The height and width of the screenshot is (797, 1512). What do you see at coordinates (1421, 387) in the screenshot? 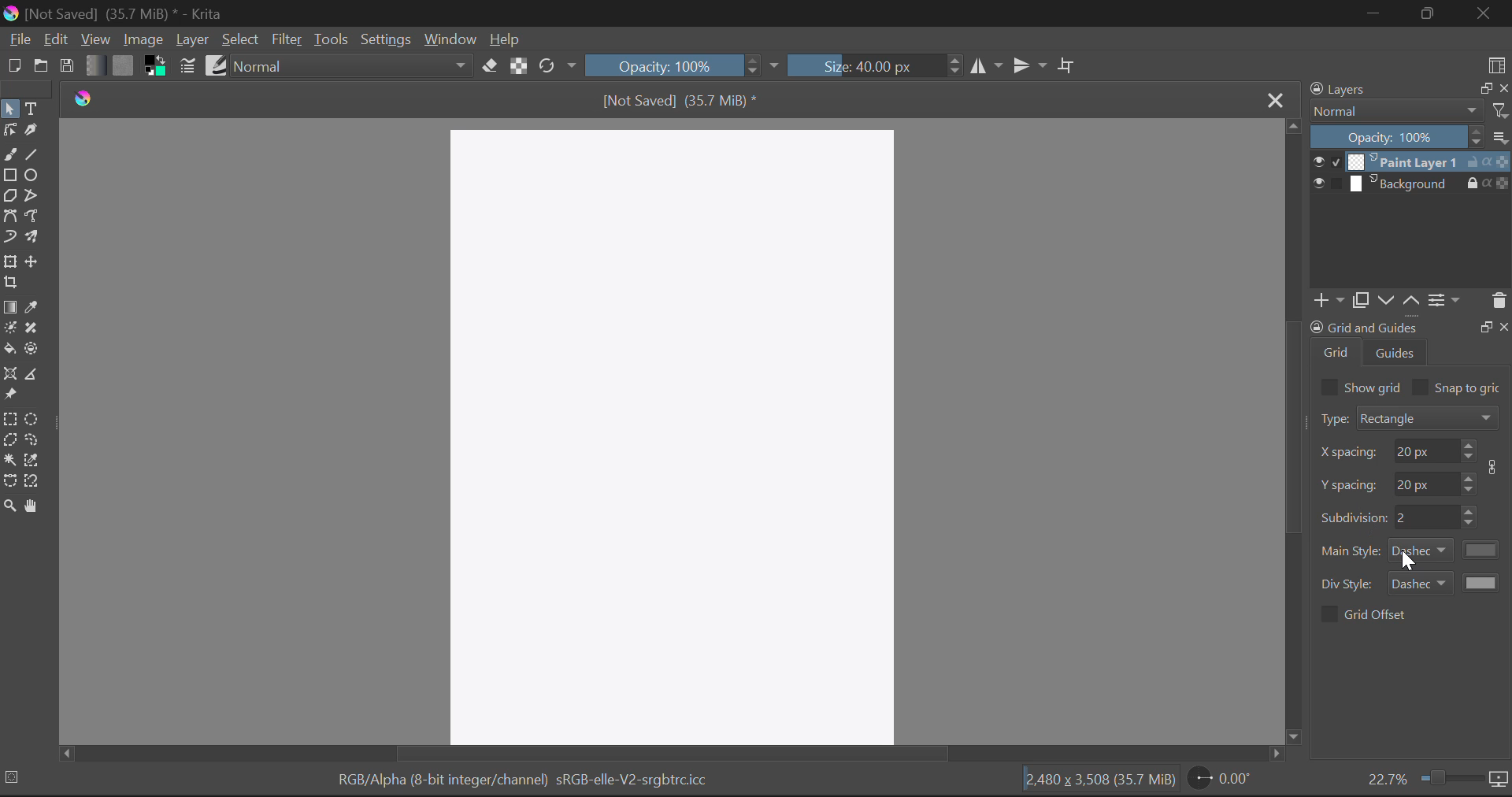
I see `checkbox` at bounding box center [1421, 387].